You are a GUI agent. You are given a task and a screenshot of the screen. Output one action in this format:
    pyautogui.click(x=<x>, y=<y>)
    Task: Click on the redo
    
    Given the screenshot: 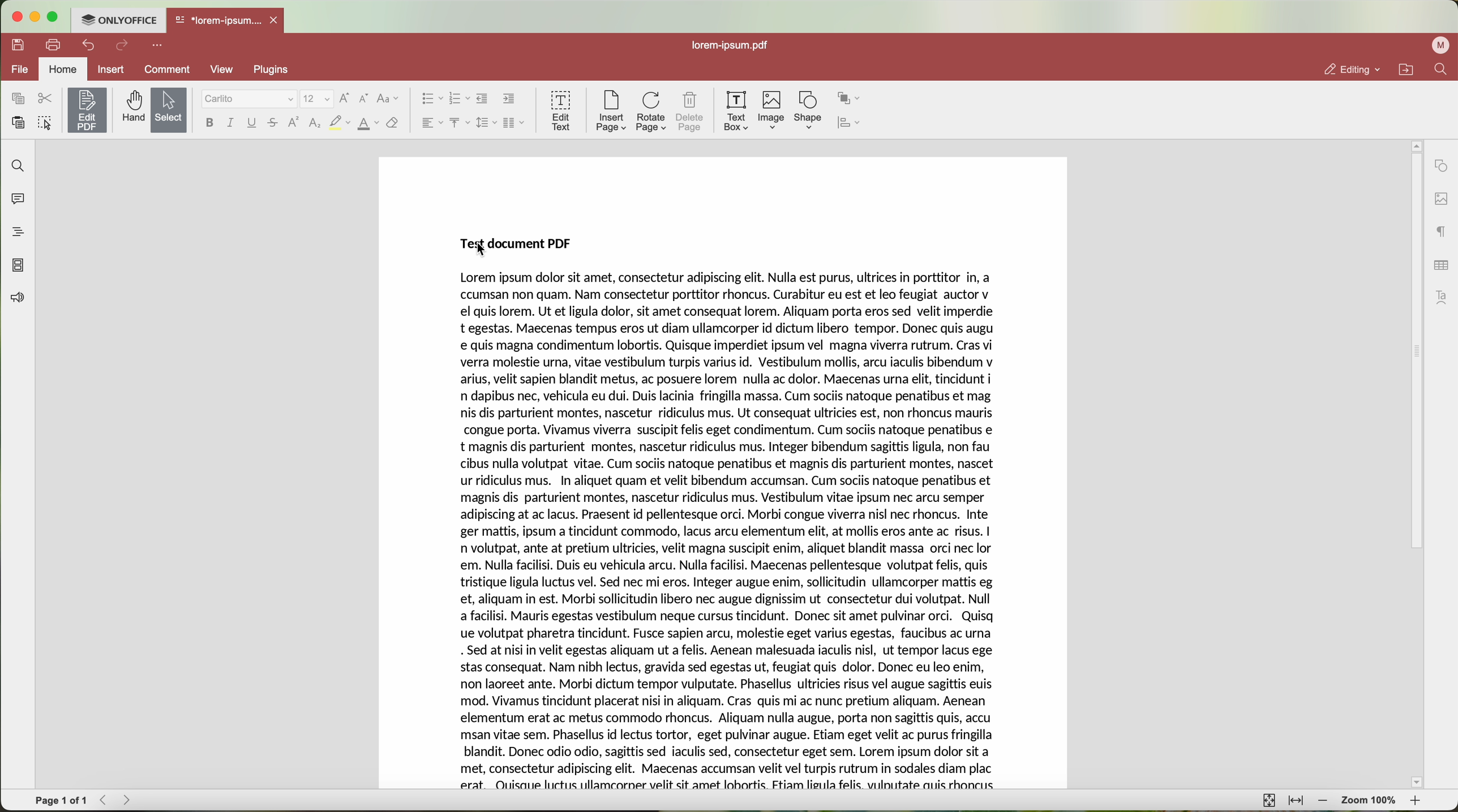 What is the action you would take?
    pyautogui.click(x=123, y=46)
    